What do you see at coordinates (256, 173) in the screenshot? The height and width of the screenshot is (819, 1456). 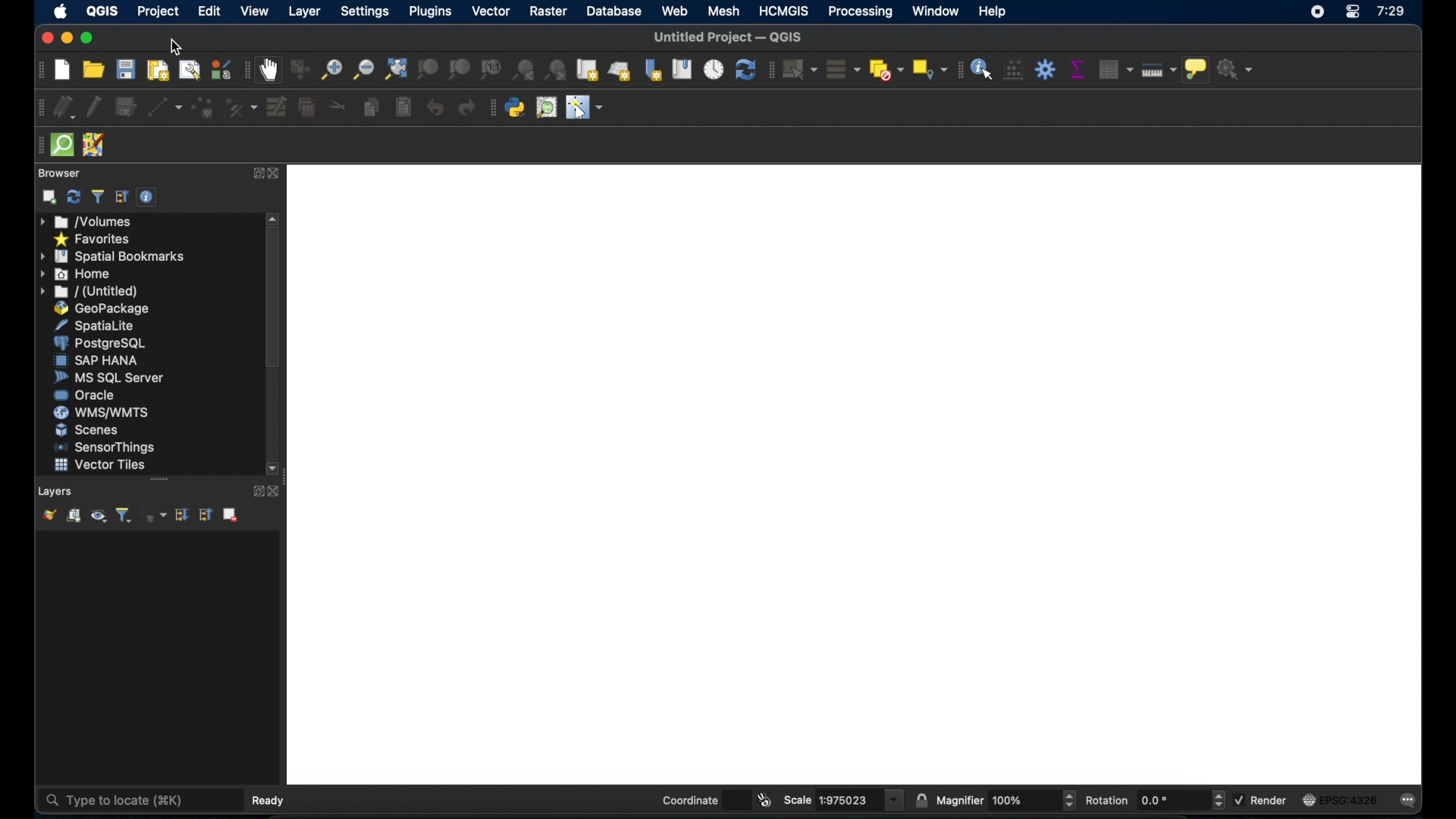 I see `expand` at bounding box center [256, 173].